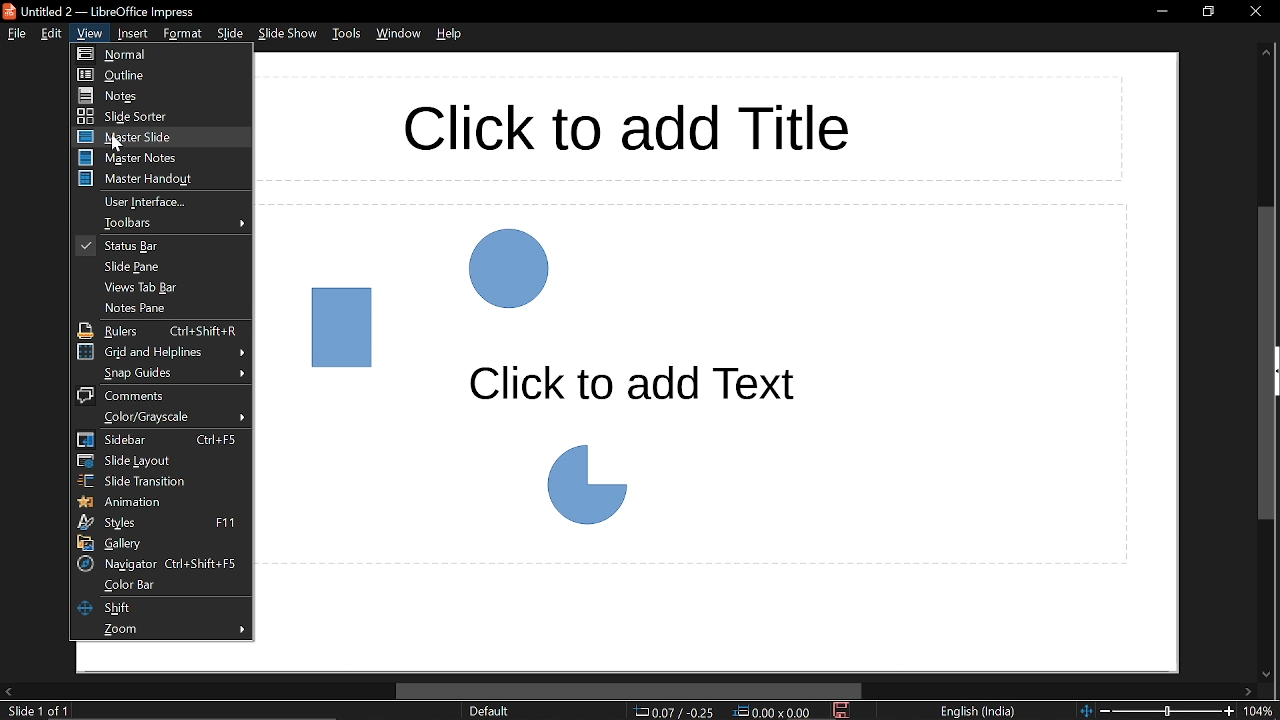  What do you see at coordinates (34, 712) in the screenshot?
I see `Current slide` at bounding box center [34, 712].